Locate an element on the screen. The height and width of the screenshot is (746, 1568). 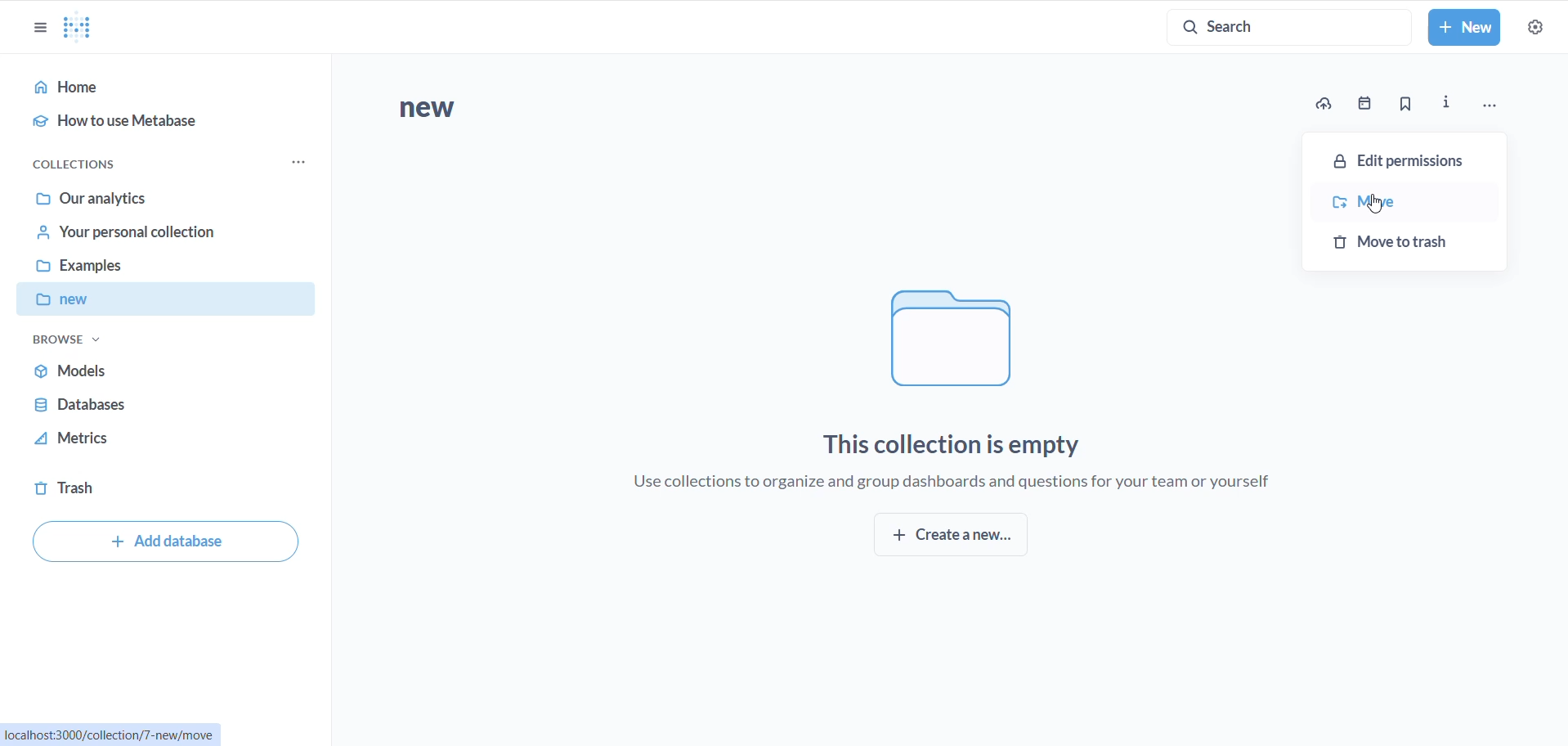
edit permission is located at coordinates (1412, 160).